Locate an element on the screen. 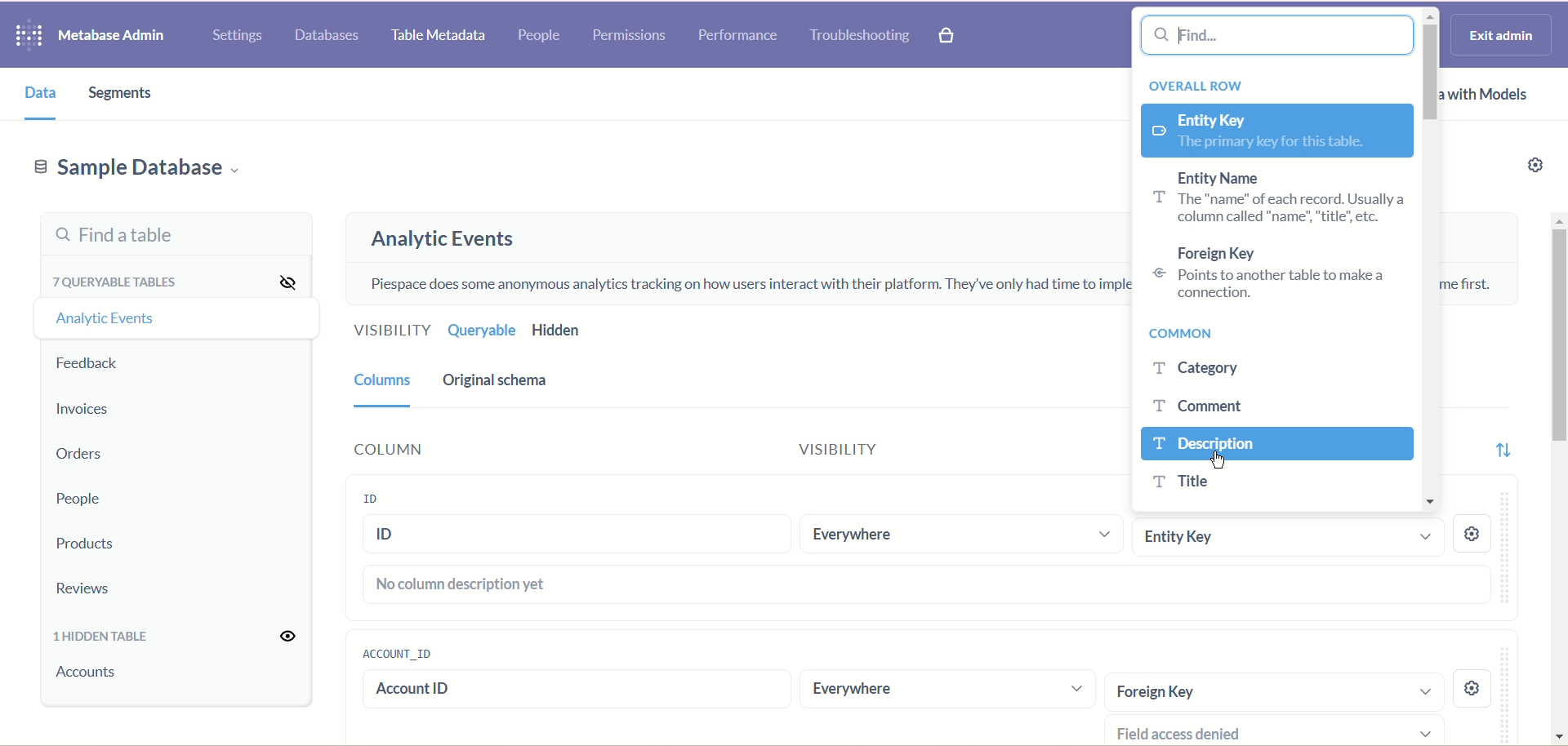 This screenshot has height=746, width=1568. find a table is located at coordinates (176, 233).